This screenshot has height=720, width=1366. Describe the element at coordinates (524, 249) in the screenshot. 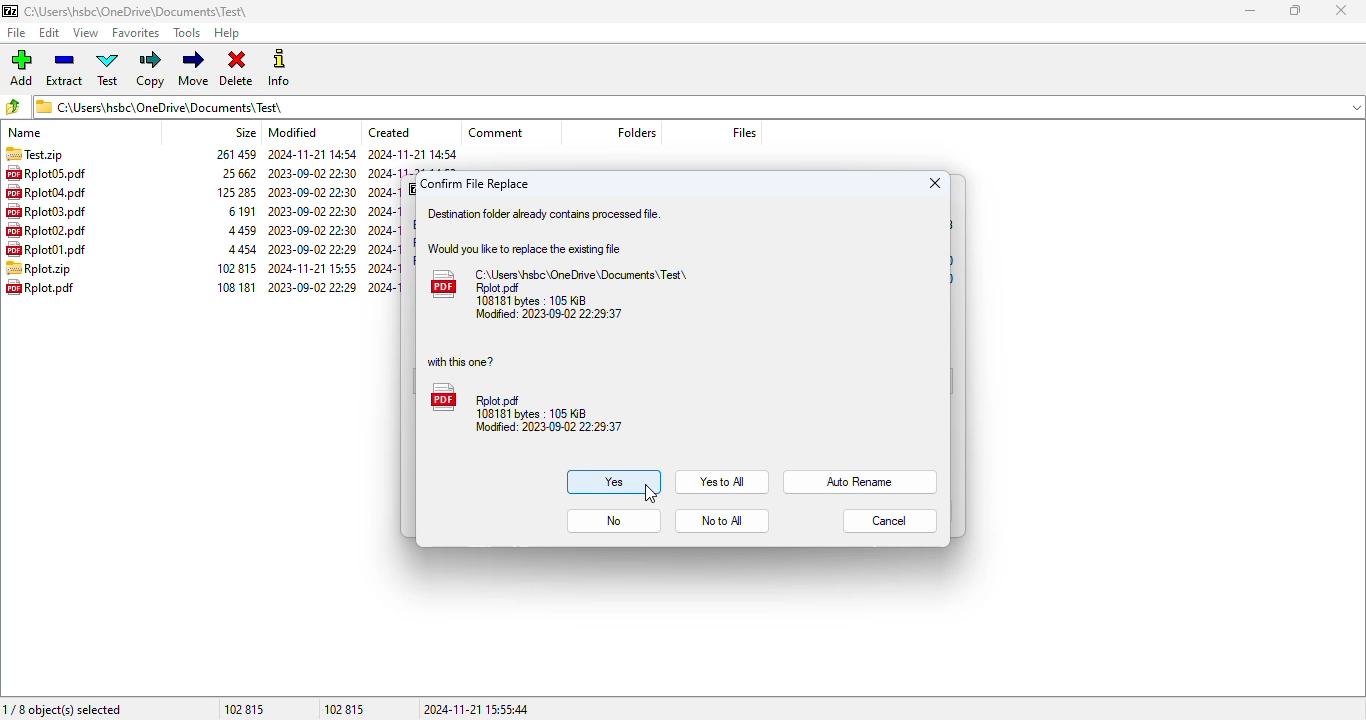

I see `would you like to replace the existing file` at that location.